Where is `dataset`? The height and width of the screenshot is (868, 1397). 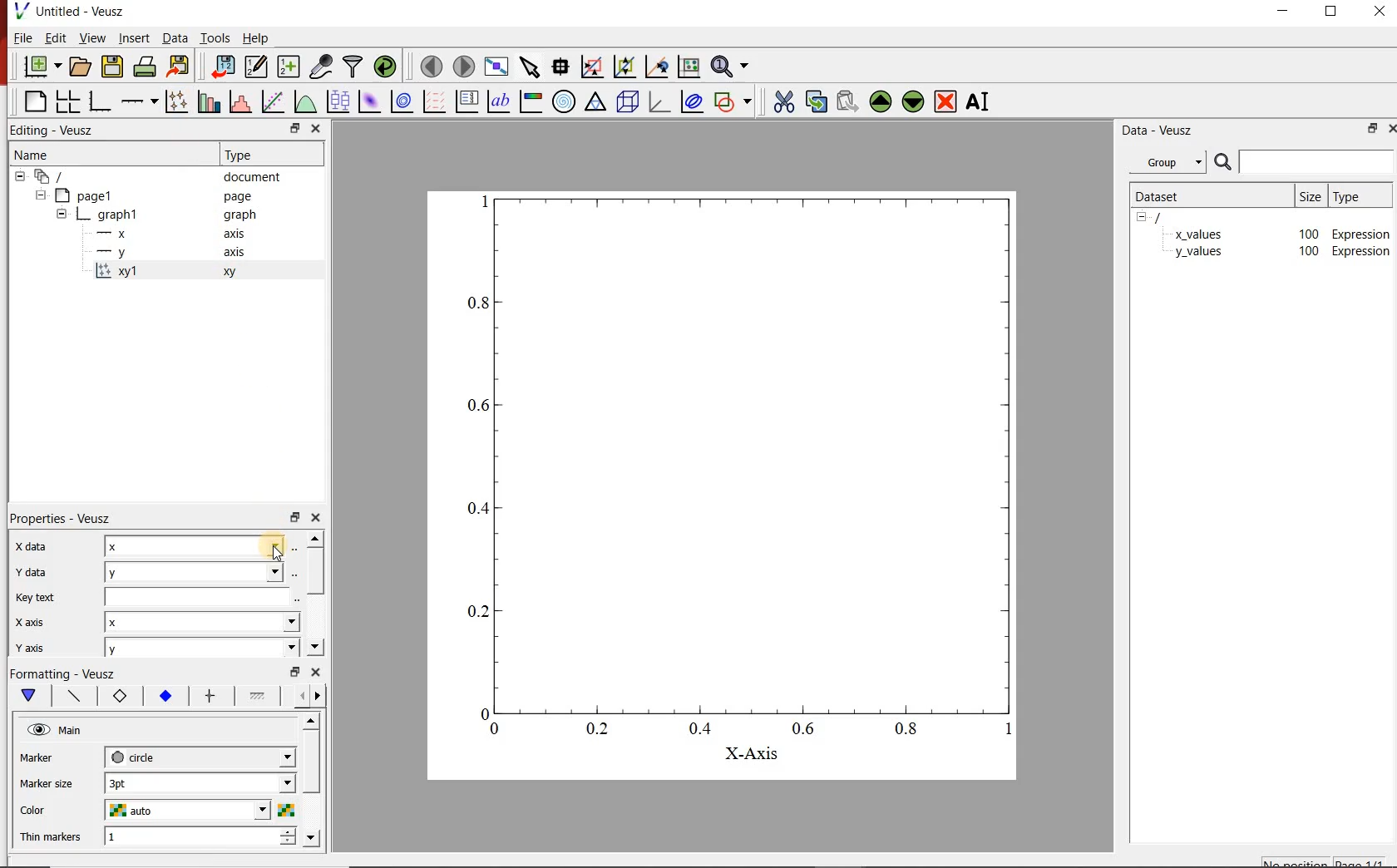 dataset is located at coordinates (1170, 196).